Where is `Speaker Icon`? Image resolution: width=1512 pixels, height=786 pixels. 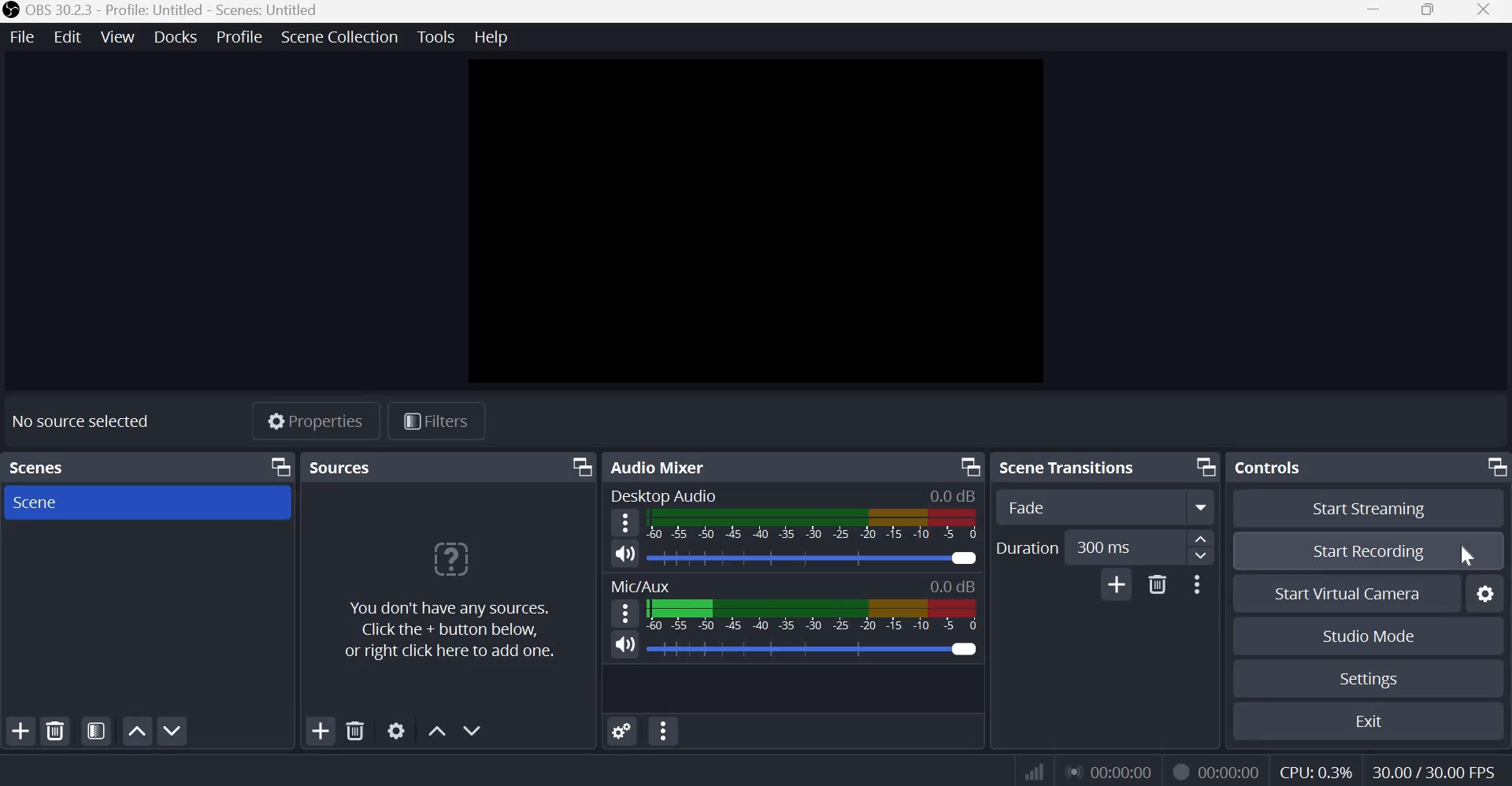 Speaker Icon is located at coordinates (625, 553).